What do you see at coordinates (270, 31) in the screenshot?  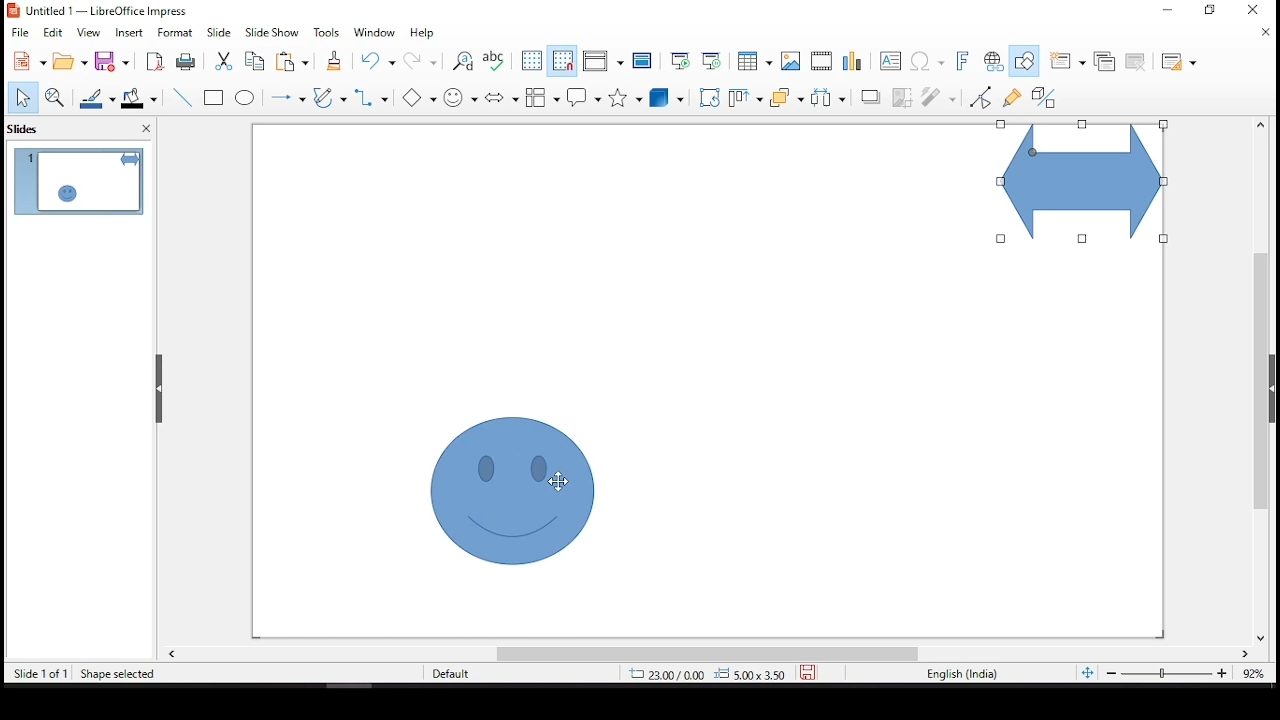 I see `slide show` at bounding box center [270, 31].